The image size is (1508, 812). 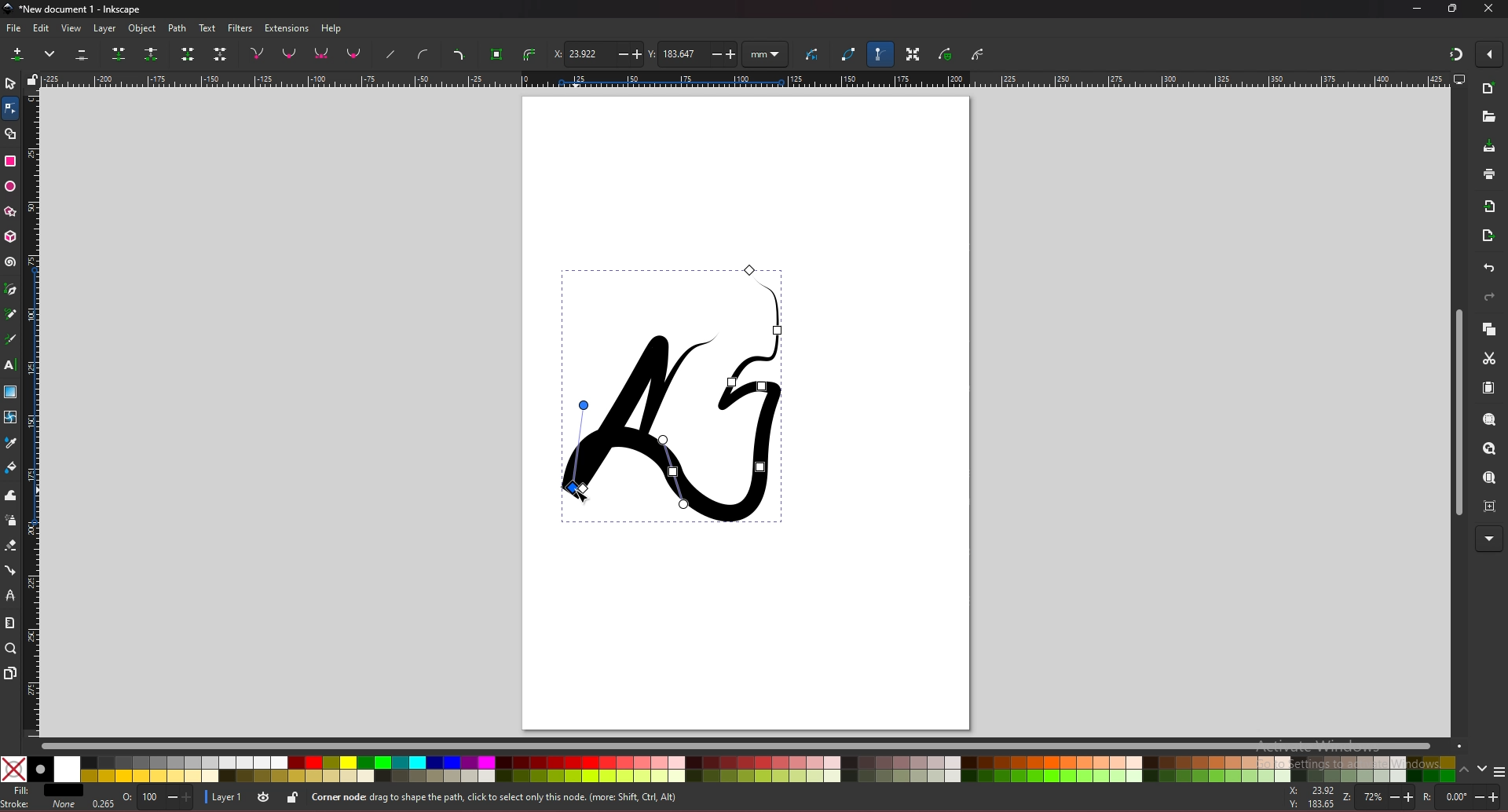 I want to click on save, so click(x=1489, y=146).